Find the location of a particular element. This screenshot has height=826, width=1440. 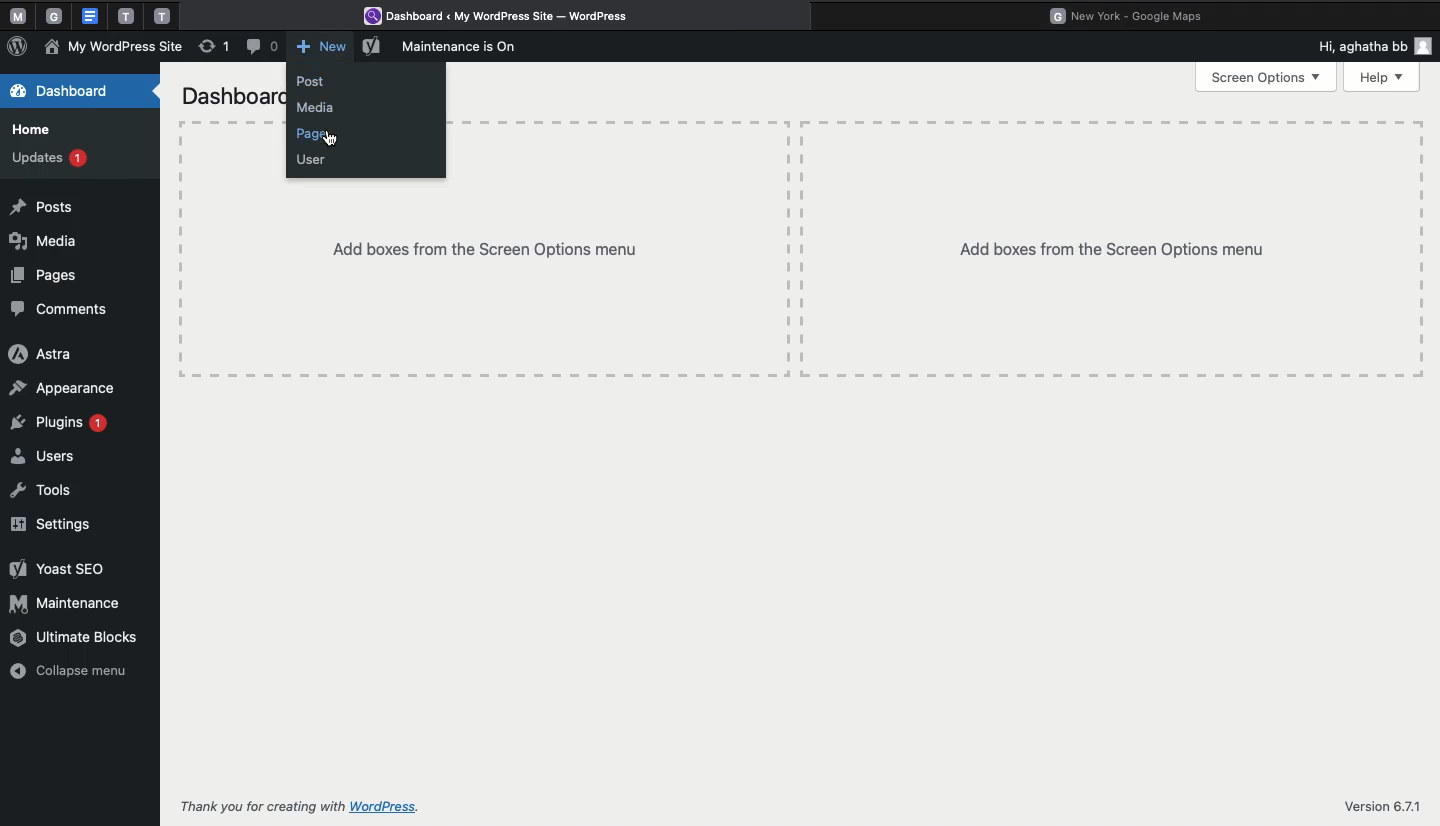

Dashboard is located at coordinates (227, 95).